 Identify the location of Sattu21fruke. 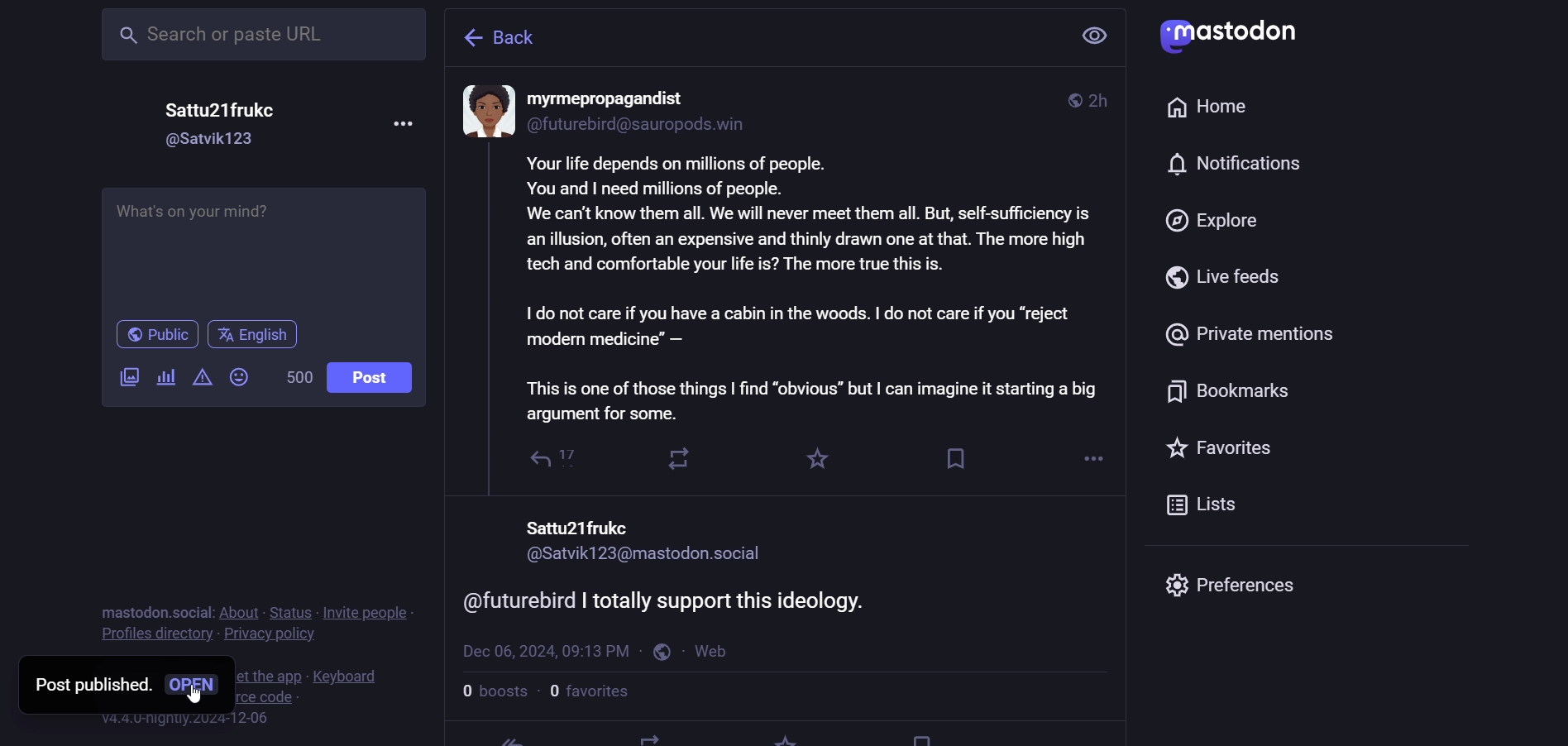
(218, 109).